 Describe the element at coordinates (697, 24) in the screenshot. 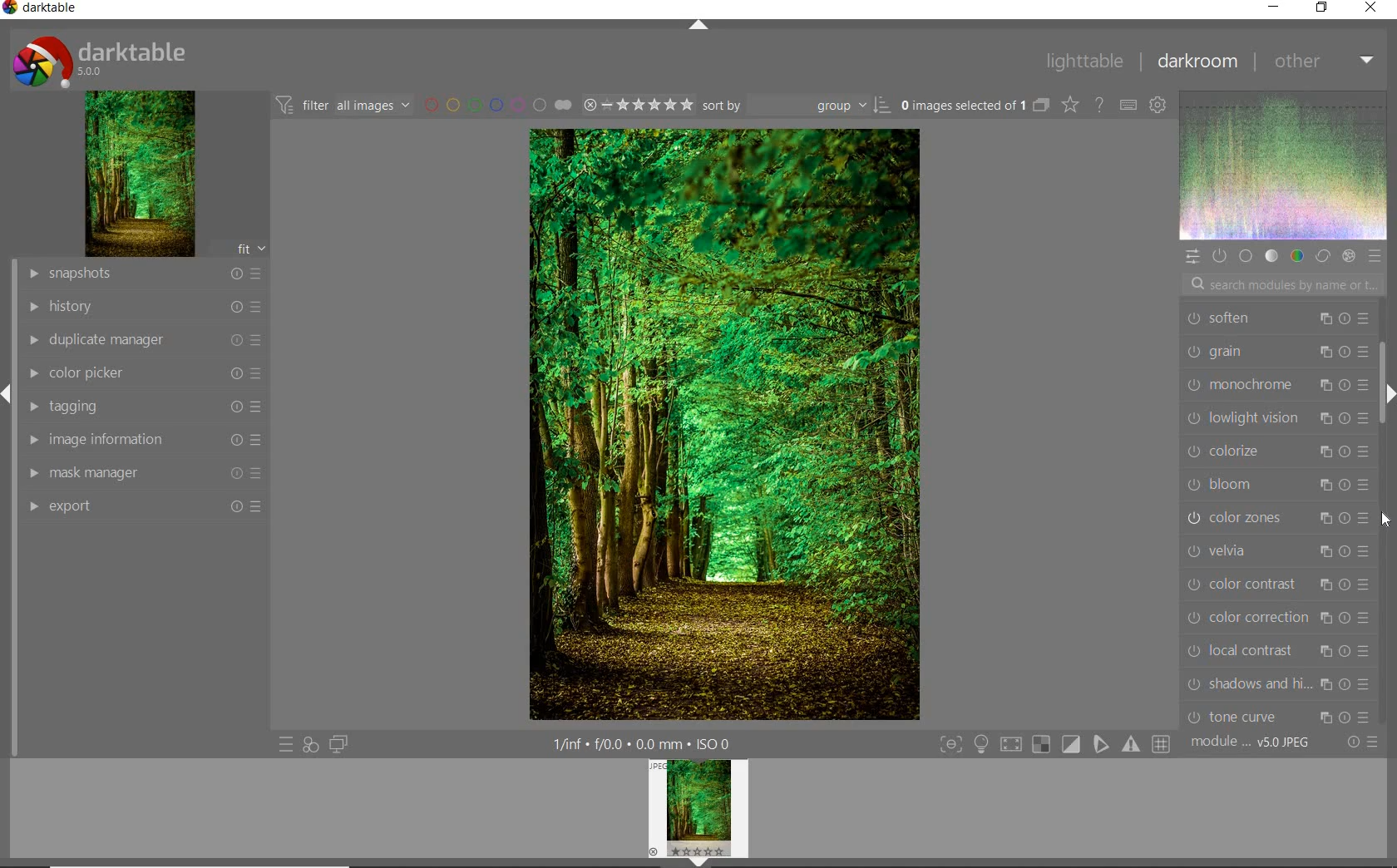

I see `EXPAND/COLLAPSE` at that location.